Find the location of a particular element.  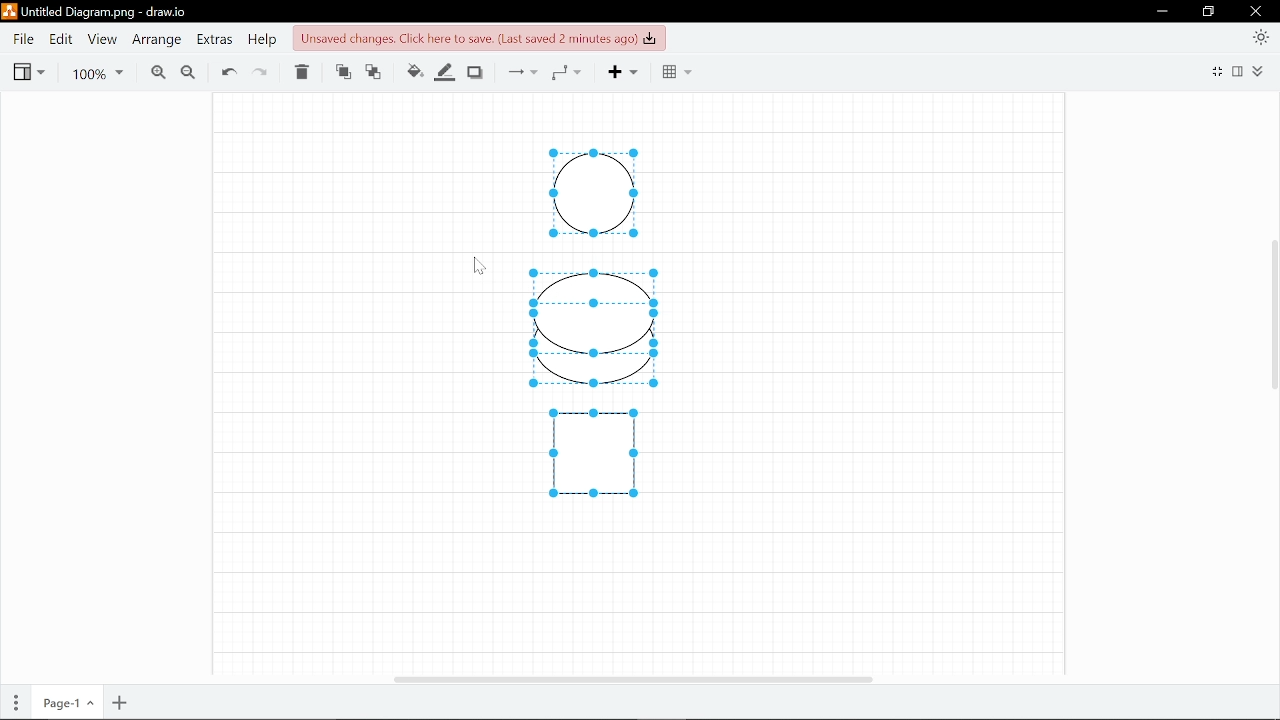

Minimize is located at coordinates (1161, 11).